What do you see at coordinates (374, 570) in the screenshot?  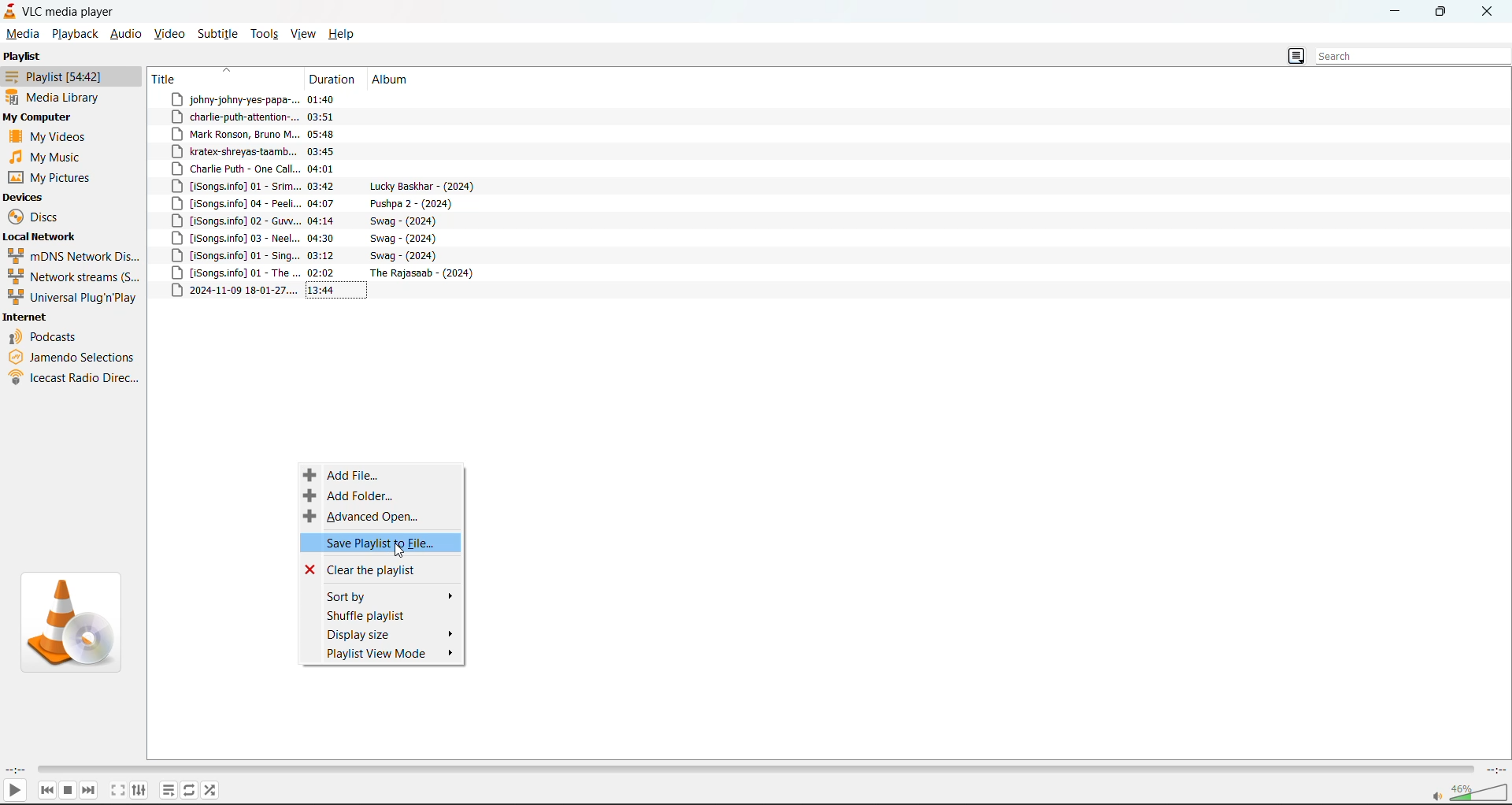 I see `clear the playlist` at bounding box center [374, 570].